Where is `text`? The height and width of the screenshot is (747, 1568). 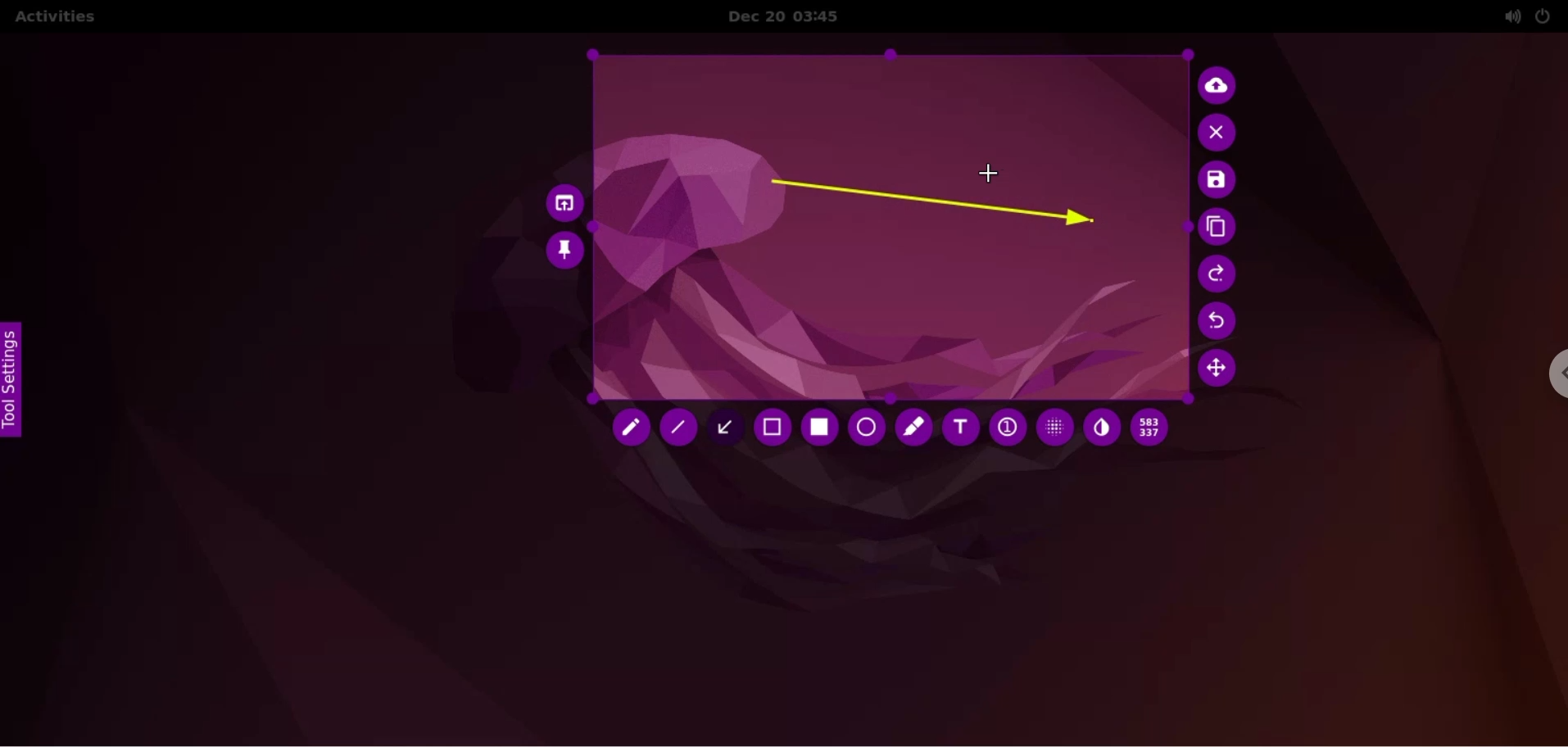 text is located at coordinates (961, 431).